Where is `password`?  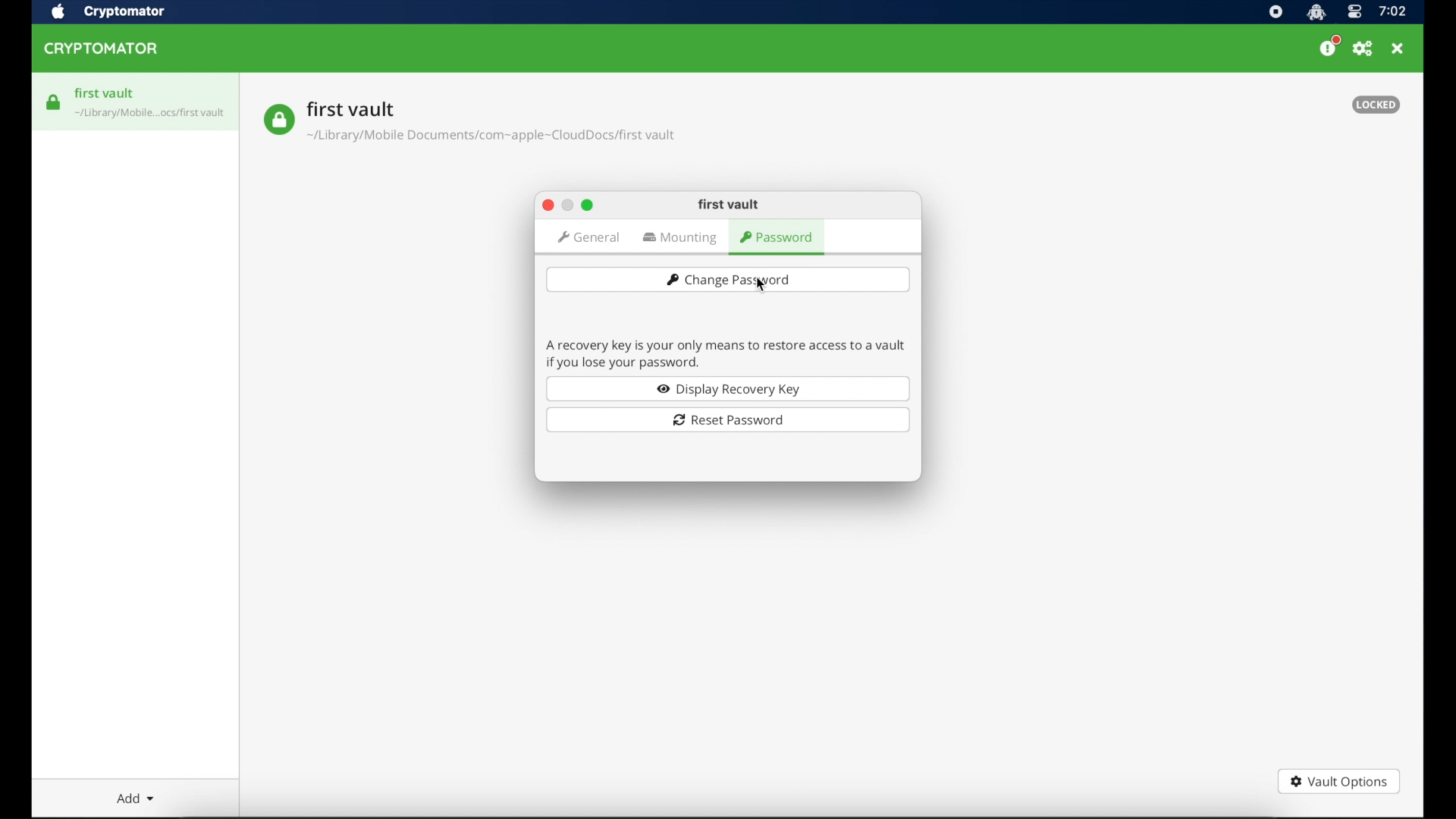
password is located at coordinates (778, 238).